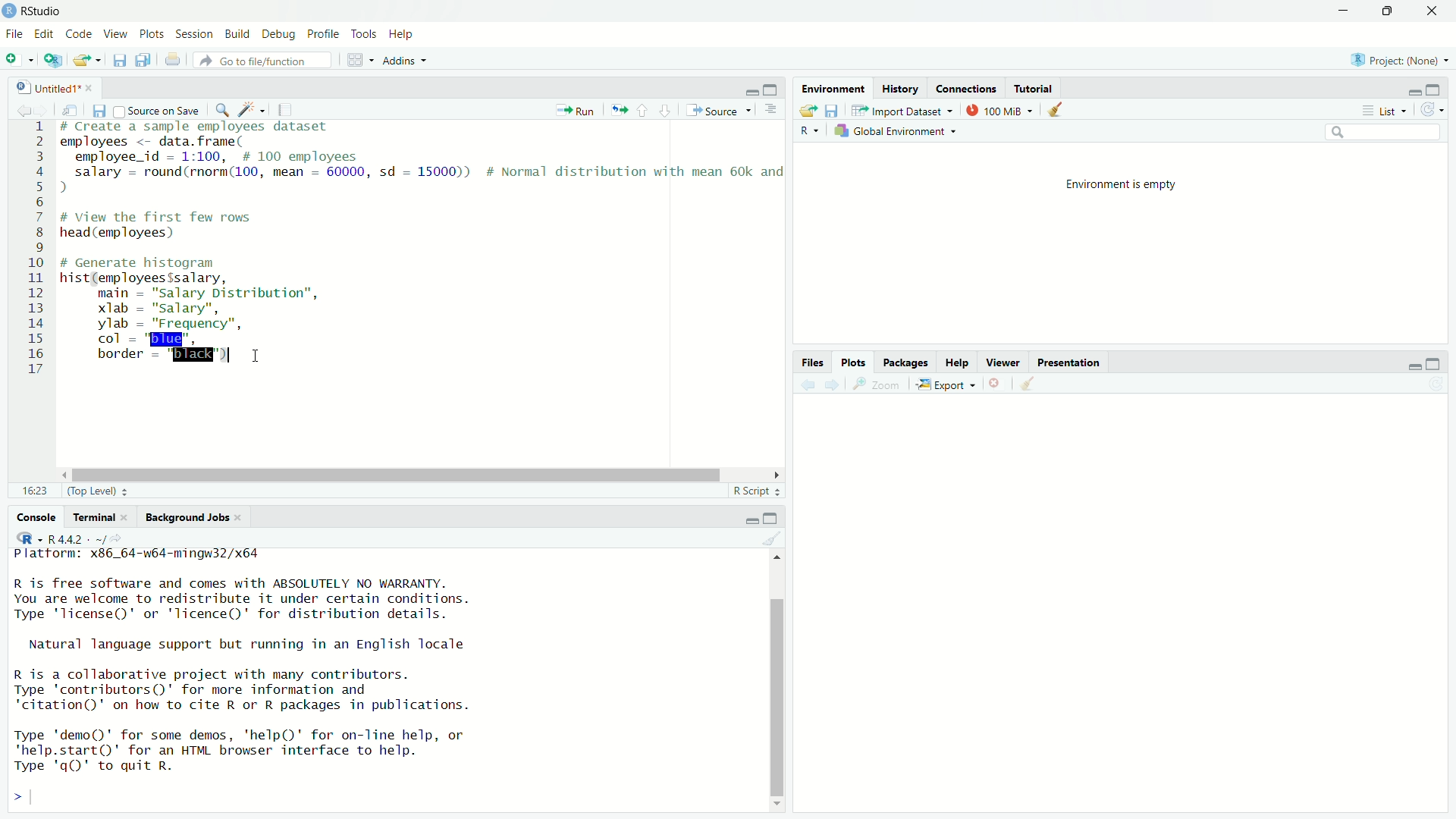 This screenshot has height=819, width=1456. Describe the element at coordinates (618, 110) in the screenshot. I see `run` at that location.